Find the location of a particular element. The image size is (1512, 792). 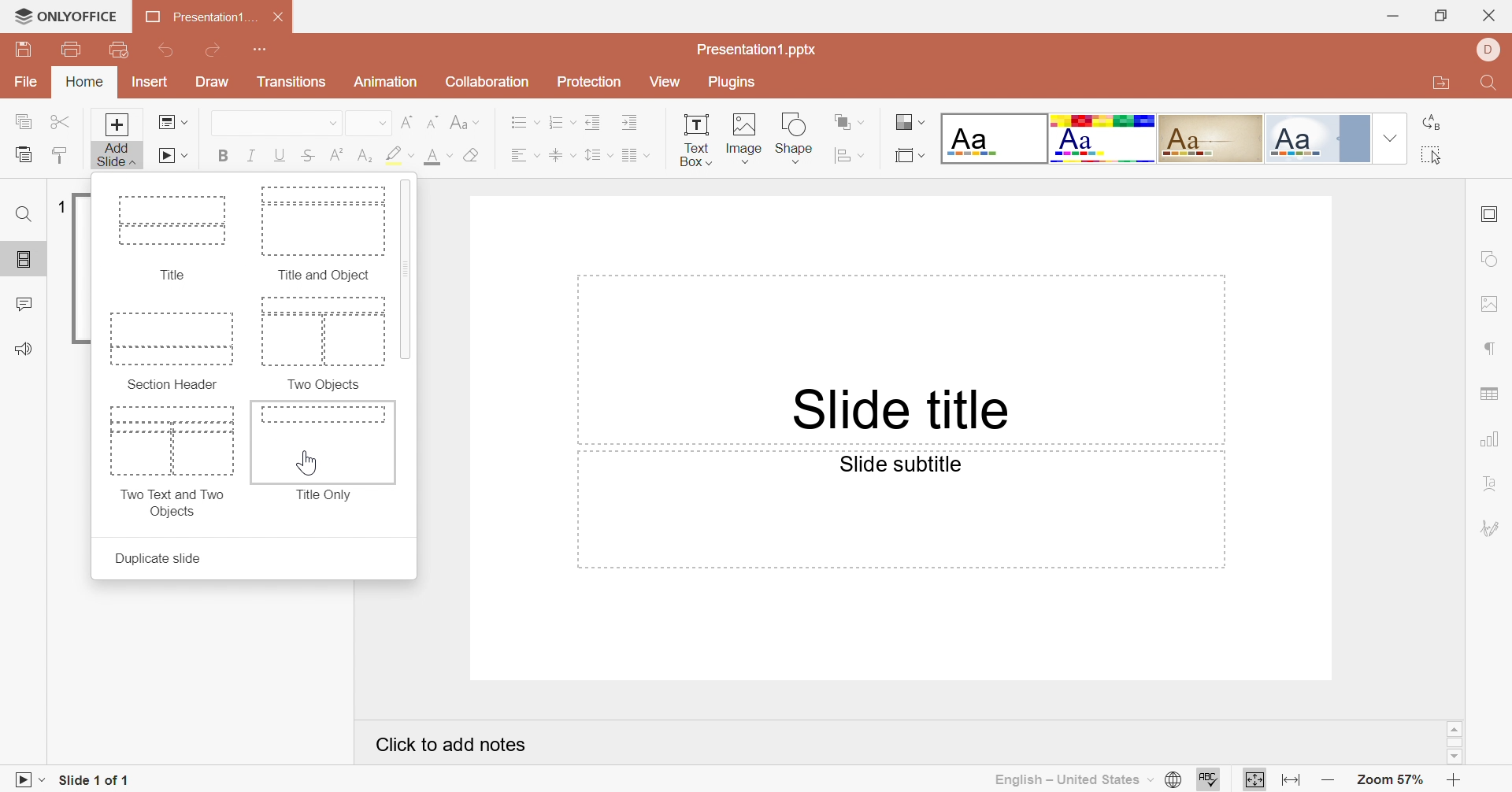

horizontal align is located at coordinates (523, 154).